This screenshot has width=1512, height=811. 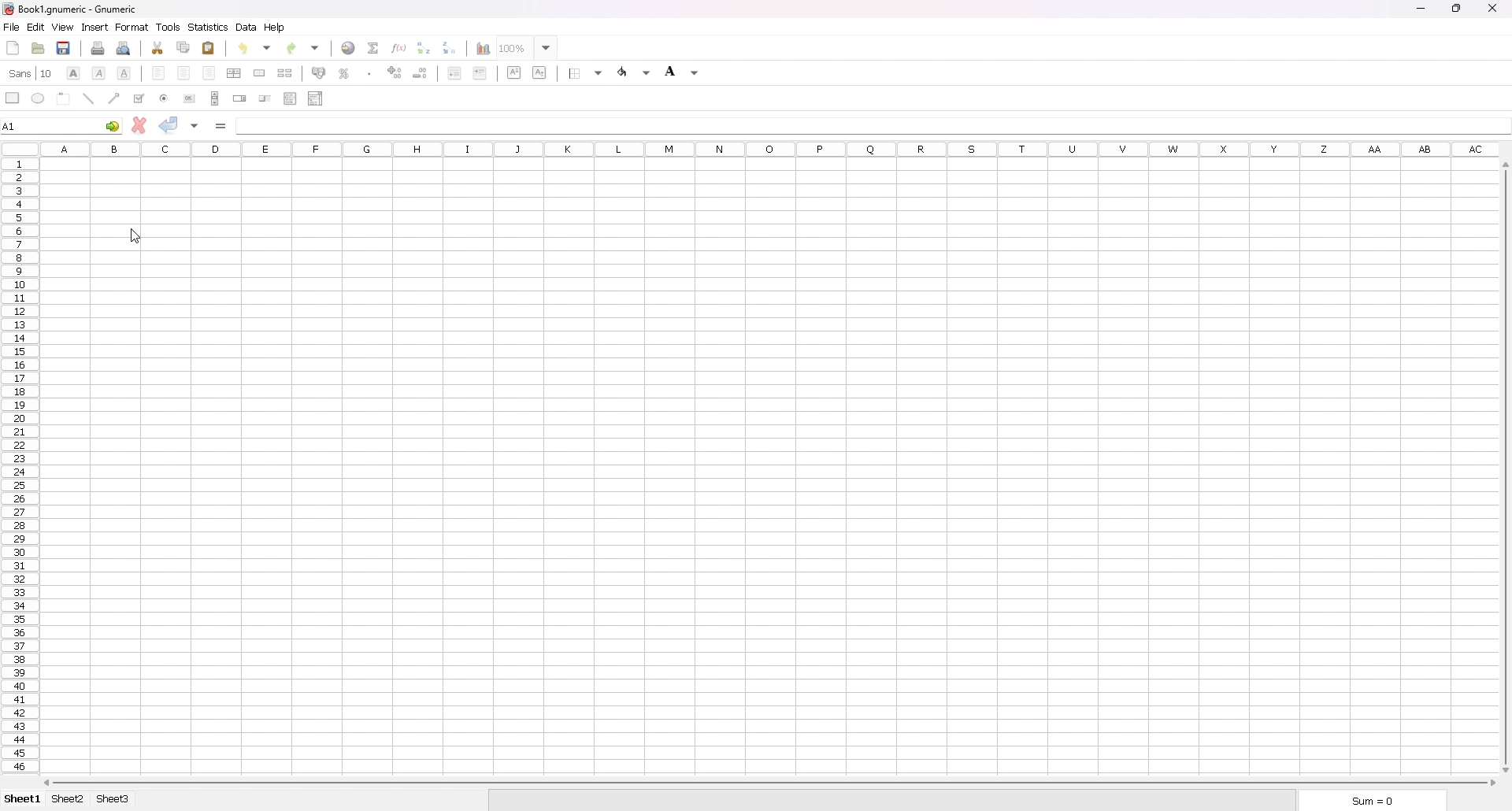 What do you see at coordinates (374, 47) in the screenshot?
I see `summation` at bounding box center [374, 47].